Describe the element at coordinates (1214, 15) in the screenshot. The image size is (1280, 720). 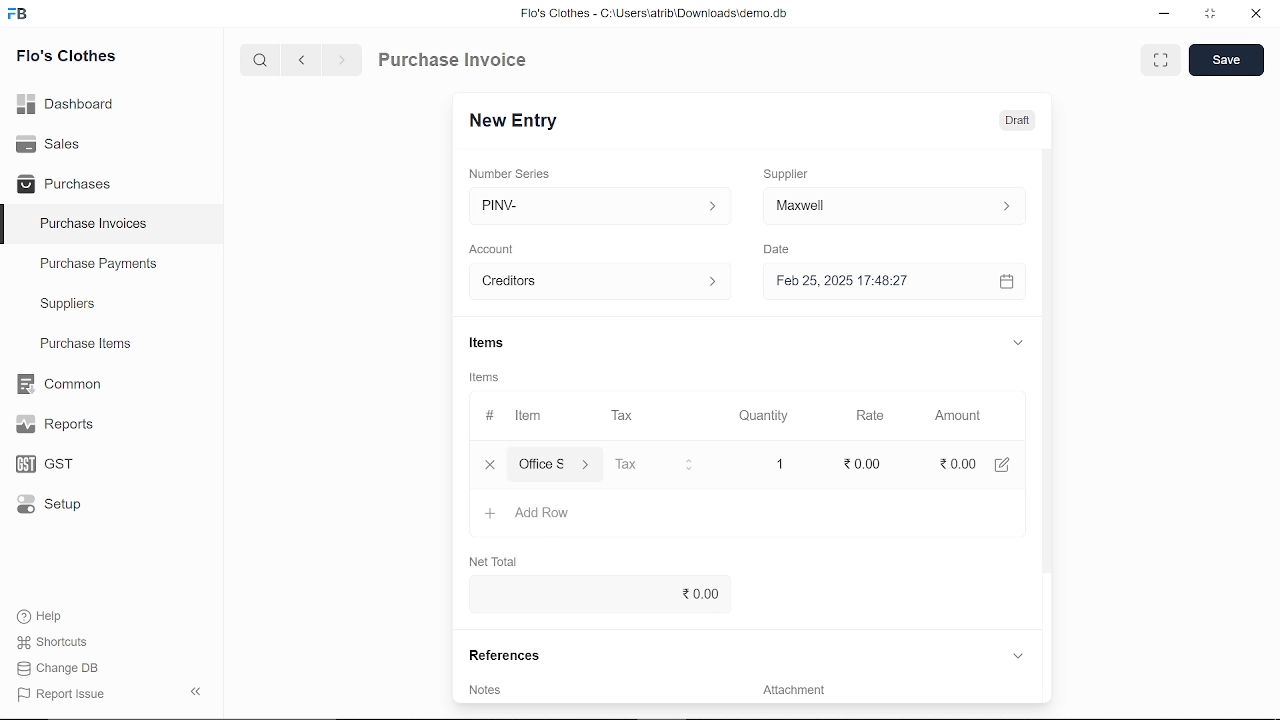
I see `restore down` at that location.